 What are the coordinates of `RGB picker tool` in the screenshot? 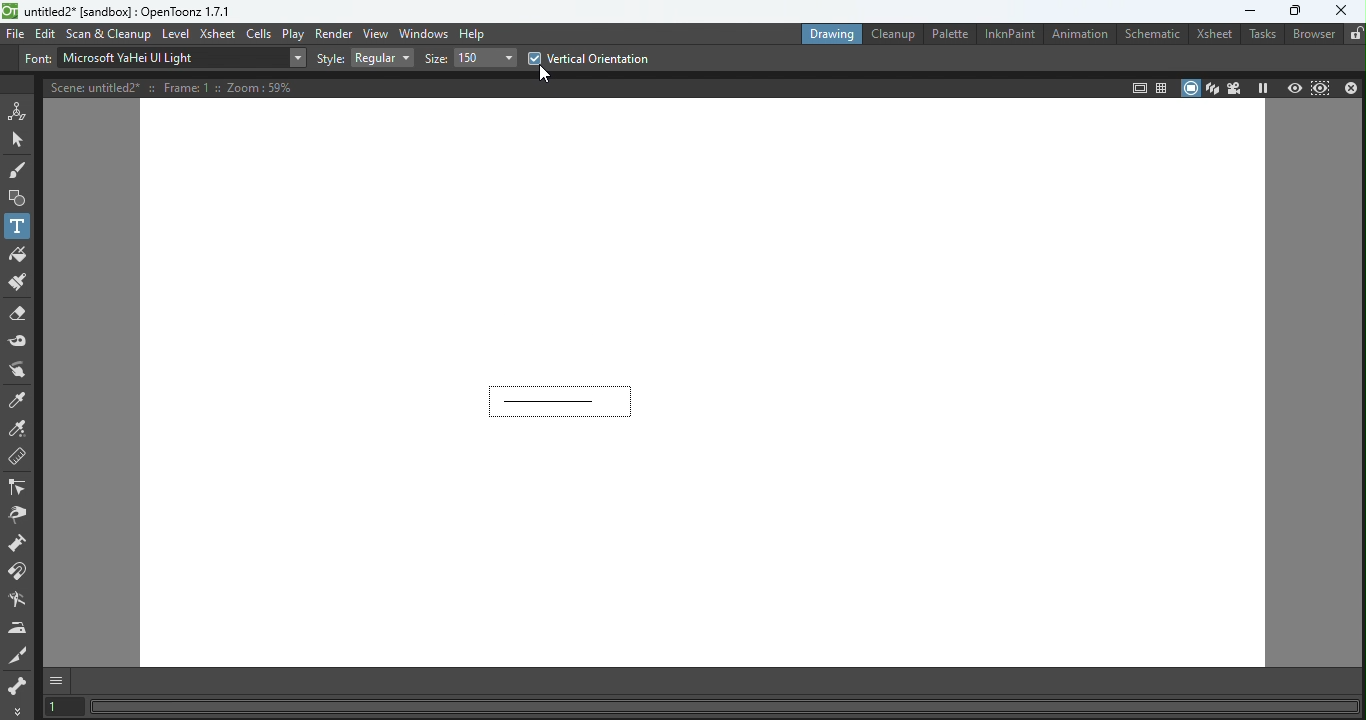 It's located at (18, 425).